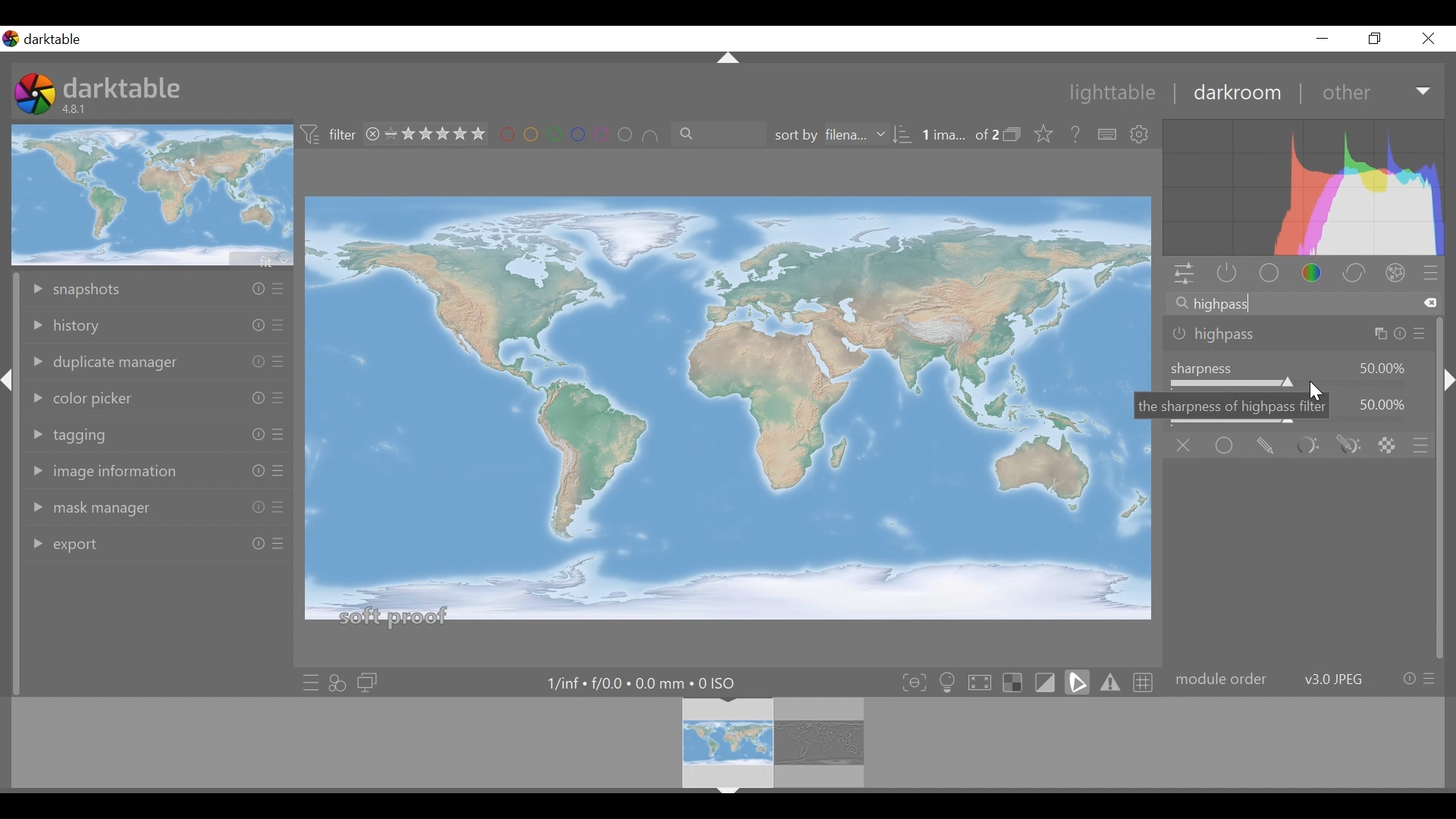  I want to click on icon, so click(311, 134).